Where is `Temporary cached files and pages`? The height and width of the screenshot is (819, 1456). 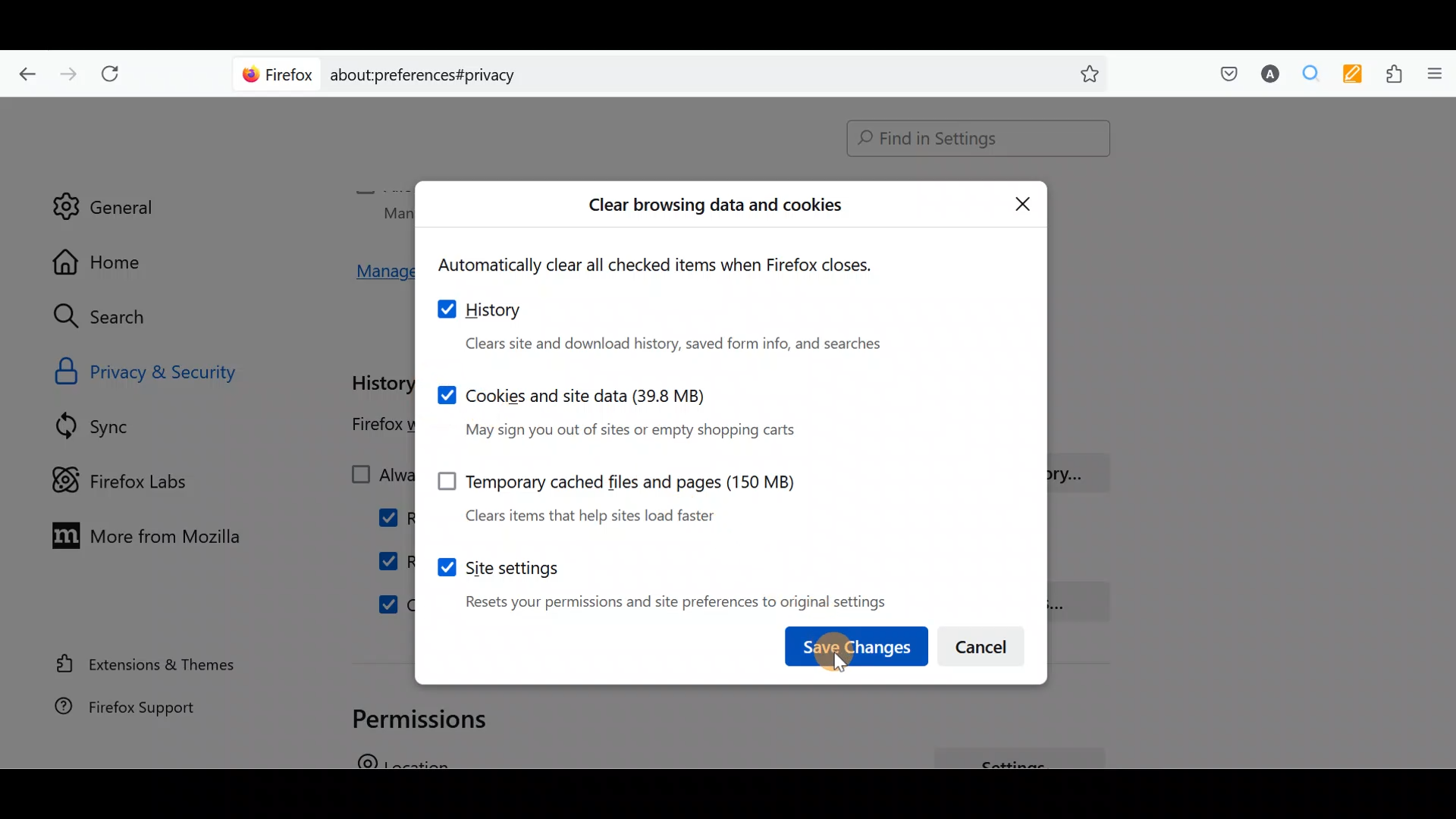 Temporary cached files and pages is located at coordinates (607, 492).